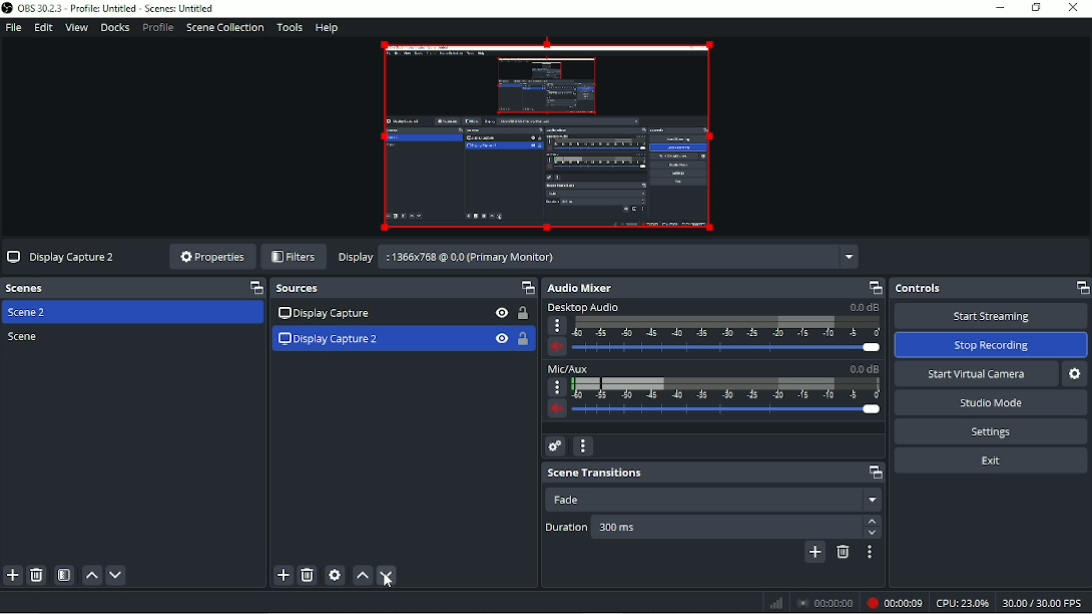  Describe the element at coordinates (290, 27) in the screenshot. I see `Tools` at that location.